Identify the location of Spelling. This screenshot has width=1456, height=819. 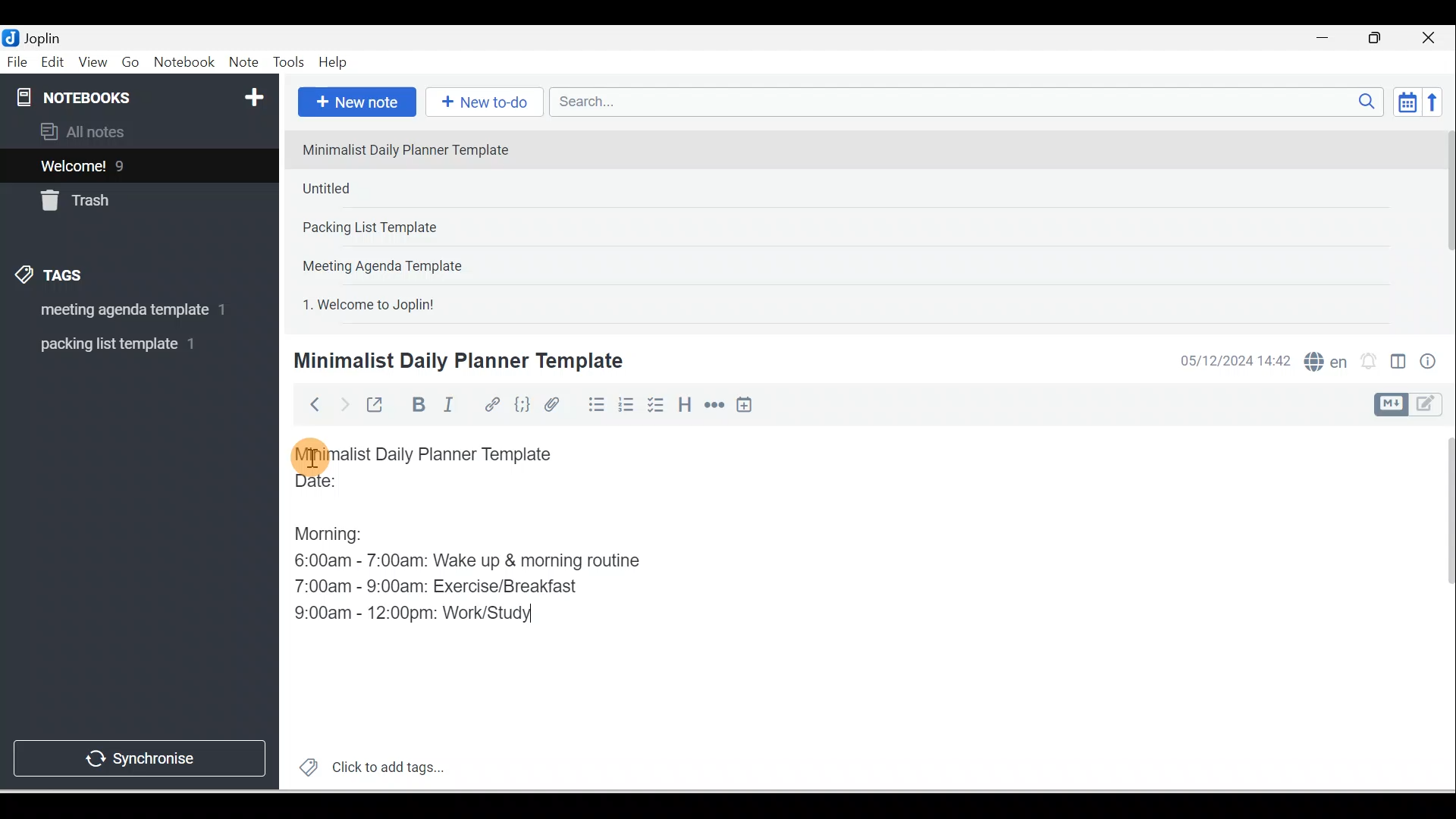
(1323, 359).